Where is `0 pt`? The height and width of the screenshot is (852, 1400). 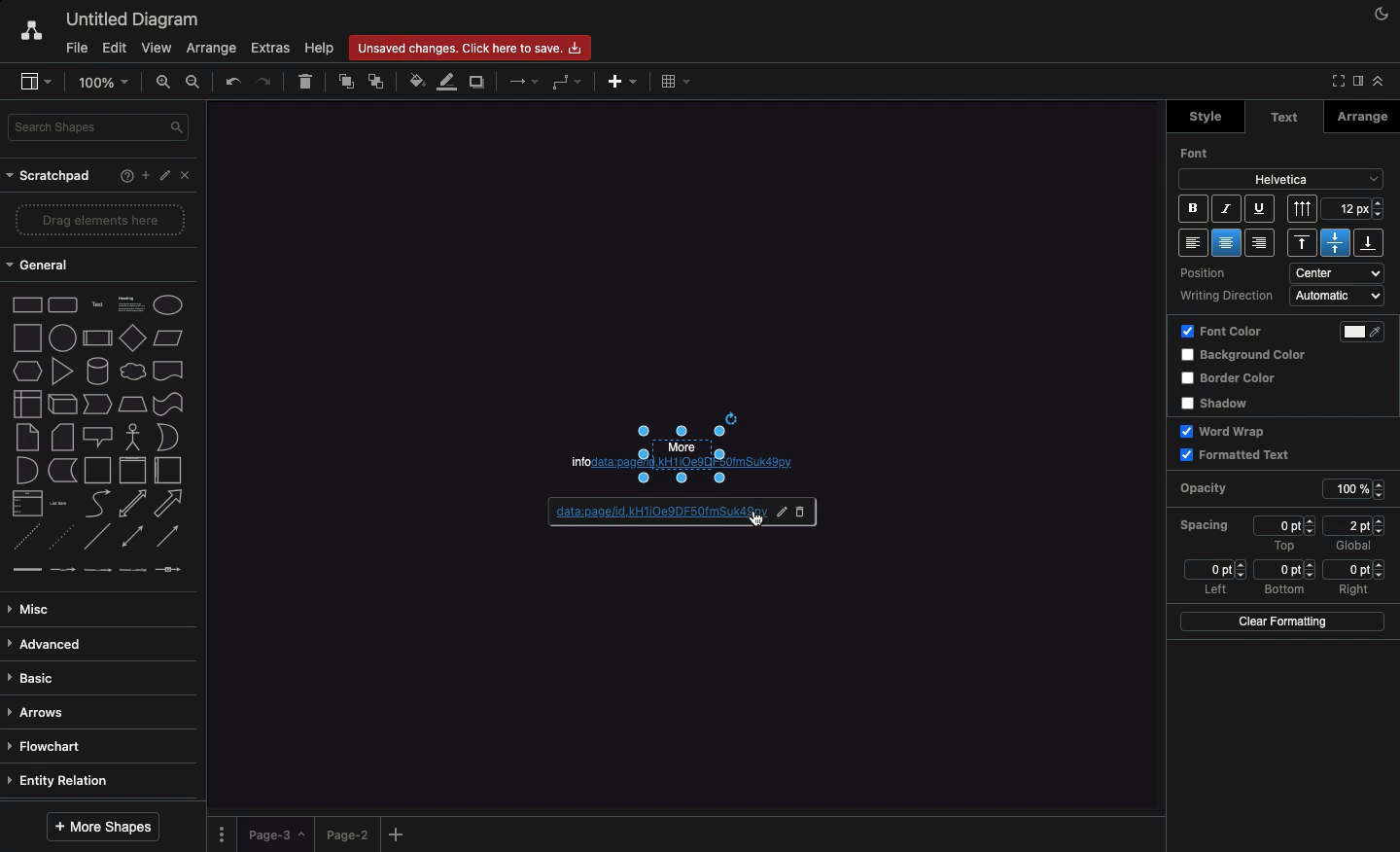
0 pt is located at coordinates (1285, 570).